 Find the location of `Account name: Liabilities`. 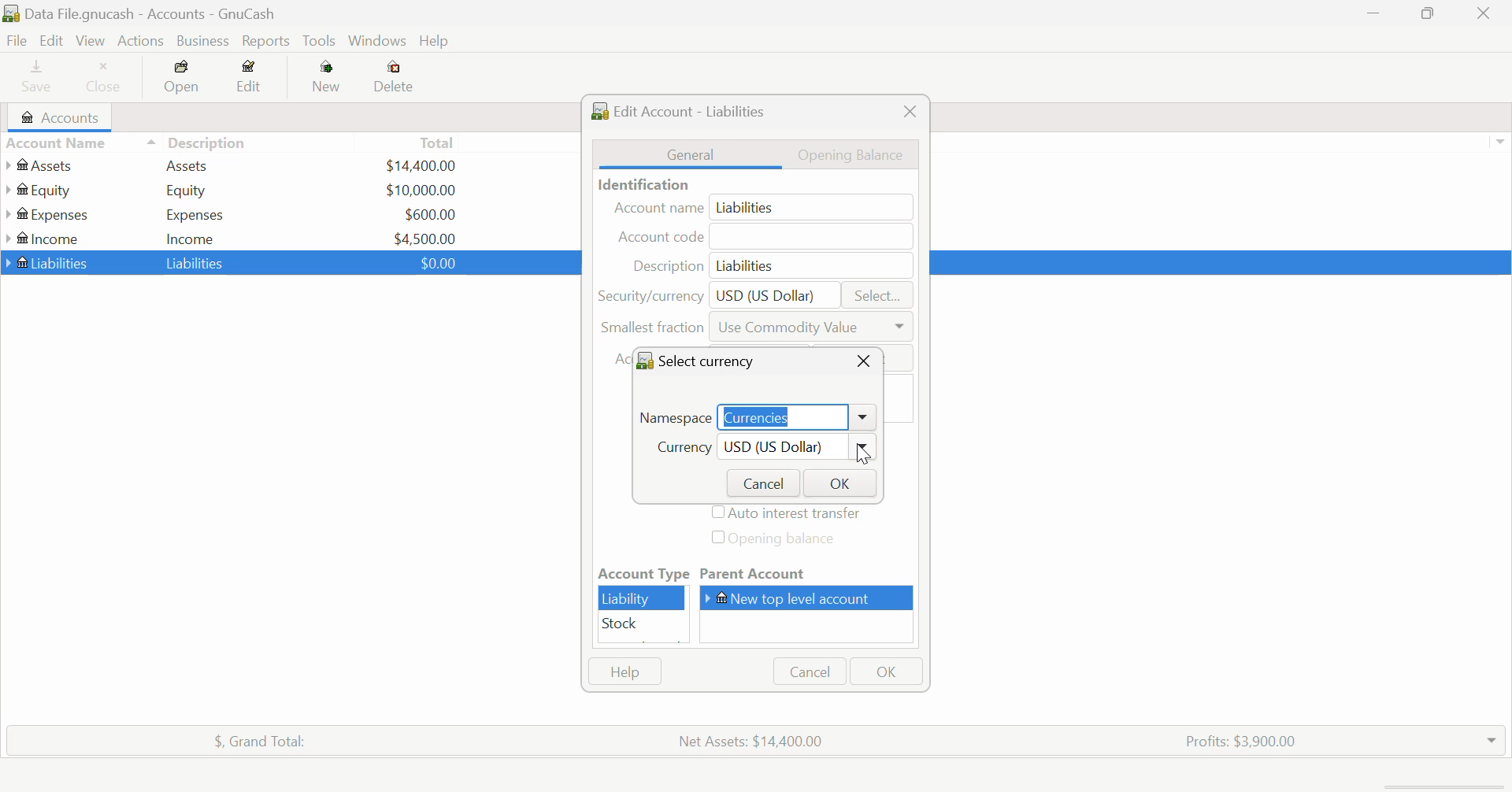

Account name: Liabilities is located at coordinates (761, 208).